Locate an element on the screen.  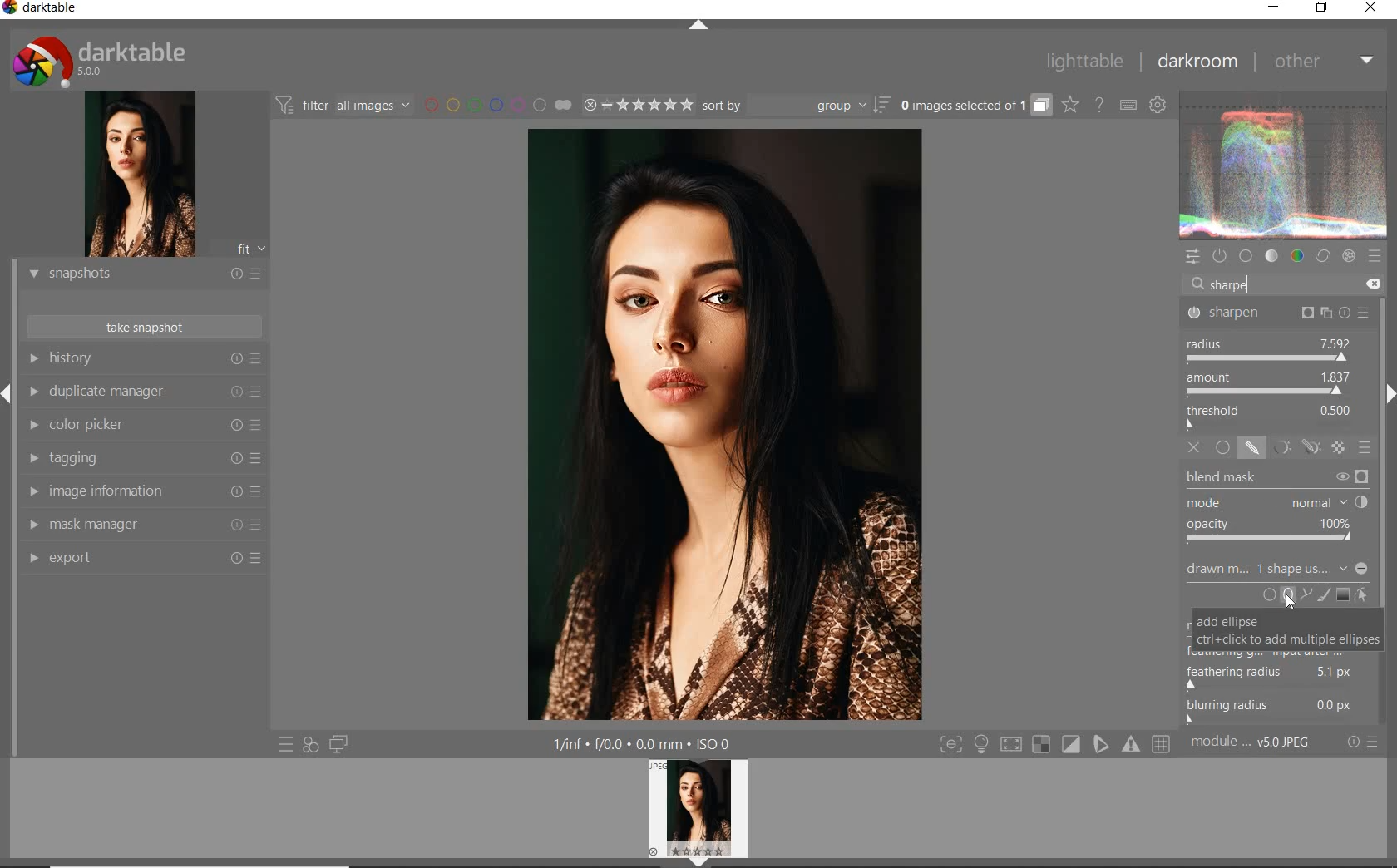
MODULE is located at coordinates (1254, 746).